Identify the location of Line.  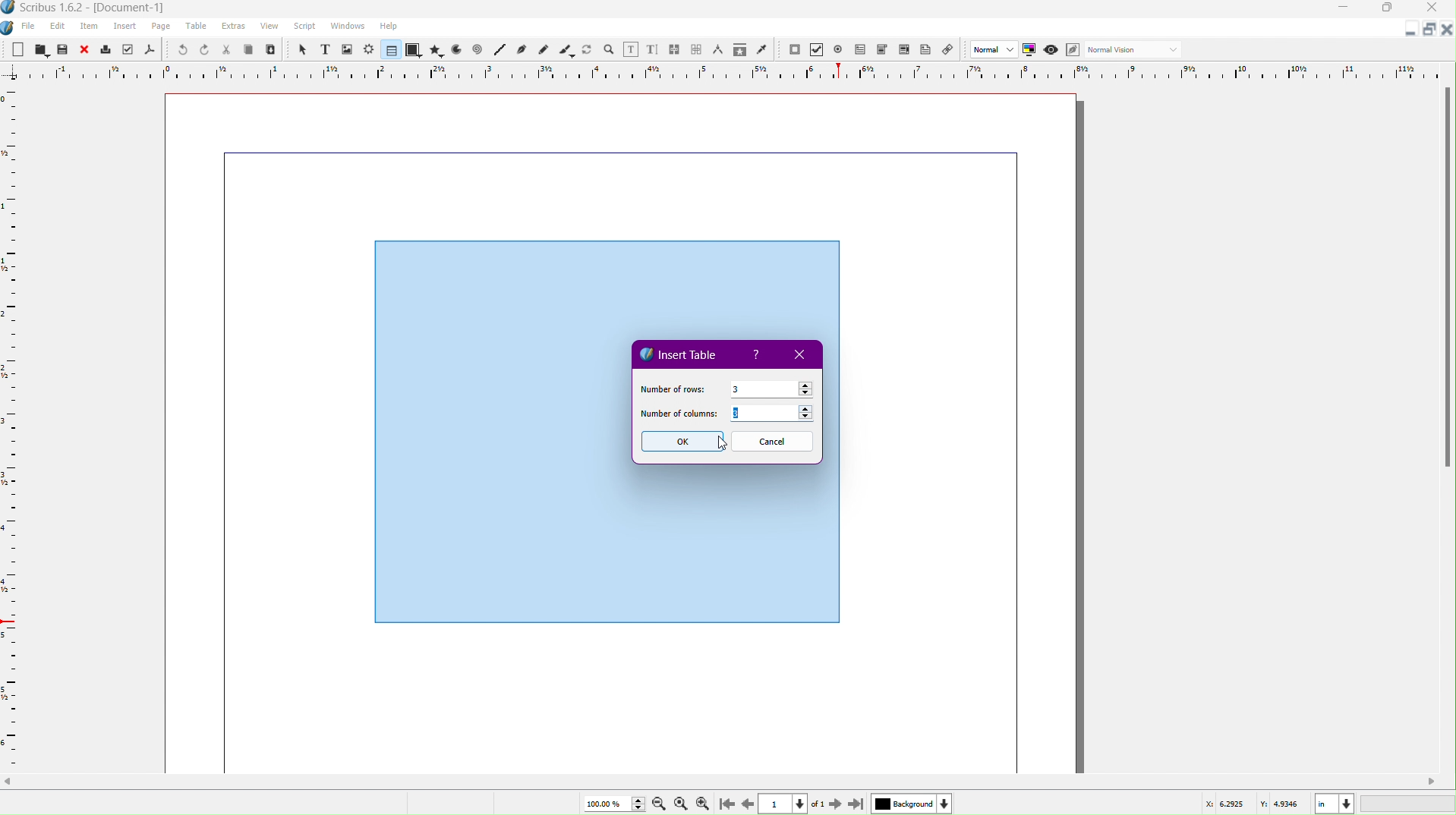
(499, 50).